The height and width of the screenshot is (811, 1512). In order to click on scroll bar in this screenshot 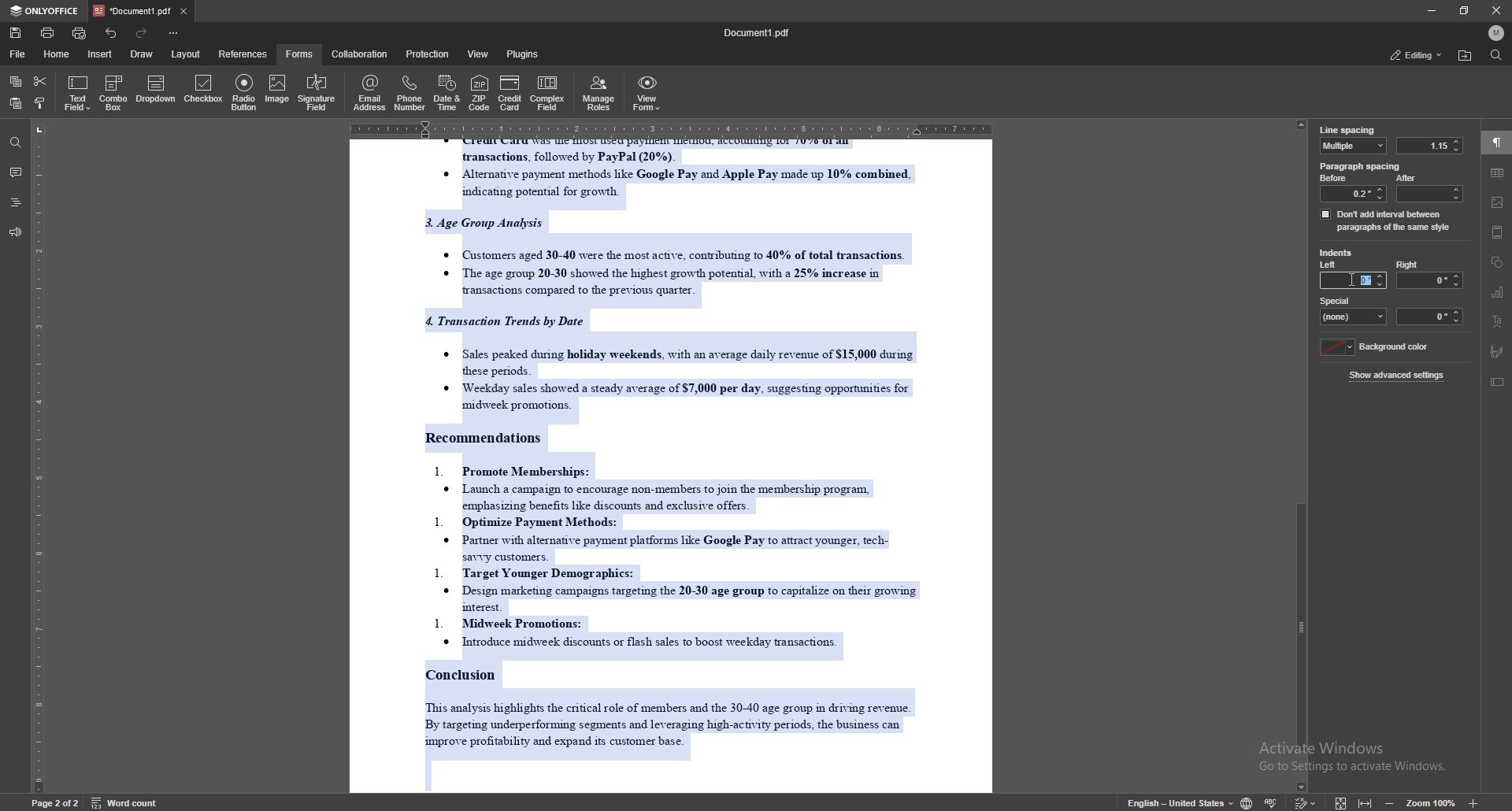, I will do `click(1304, 454)`.